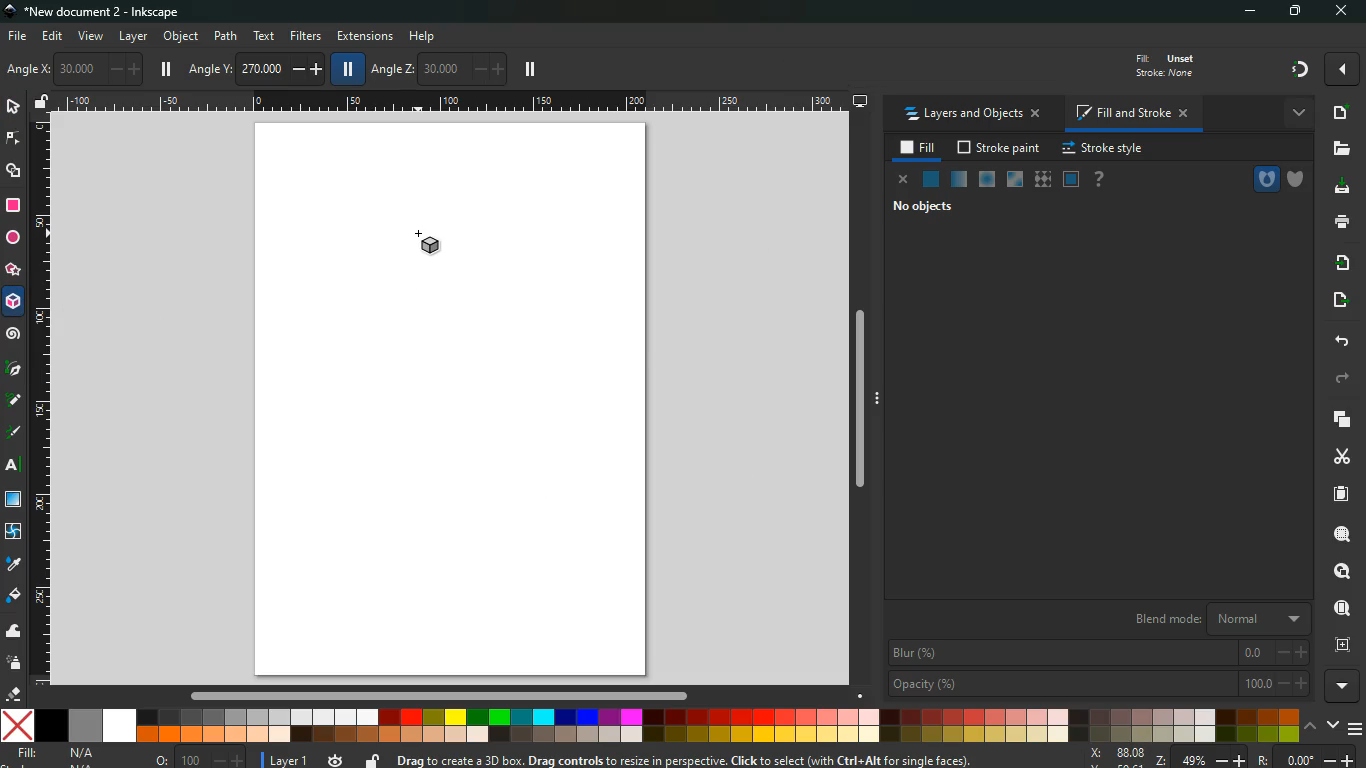 This screenshot has height=768, width=1366. Describe the element at coordinates (1339, 150) in the screenshot. I see `files` at that location.